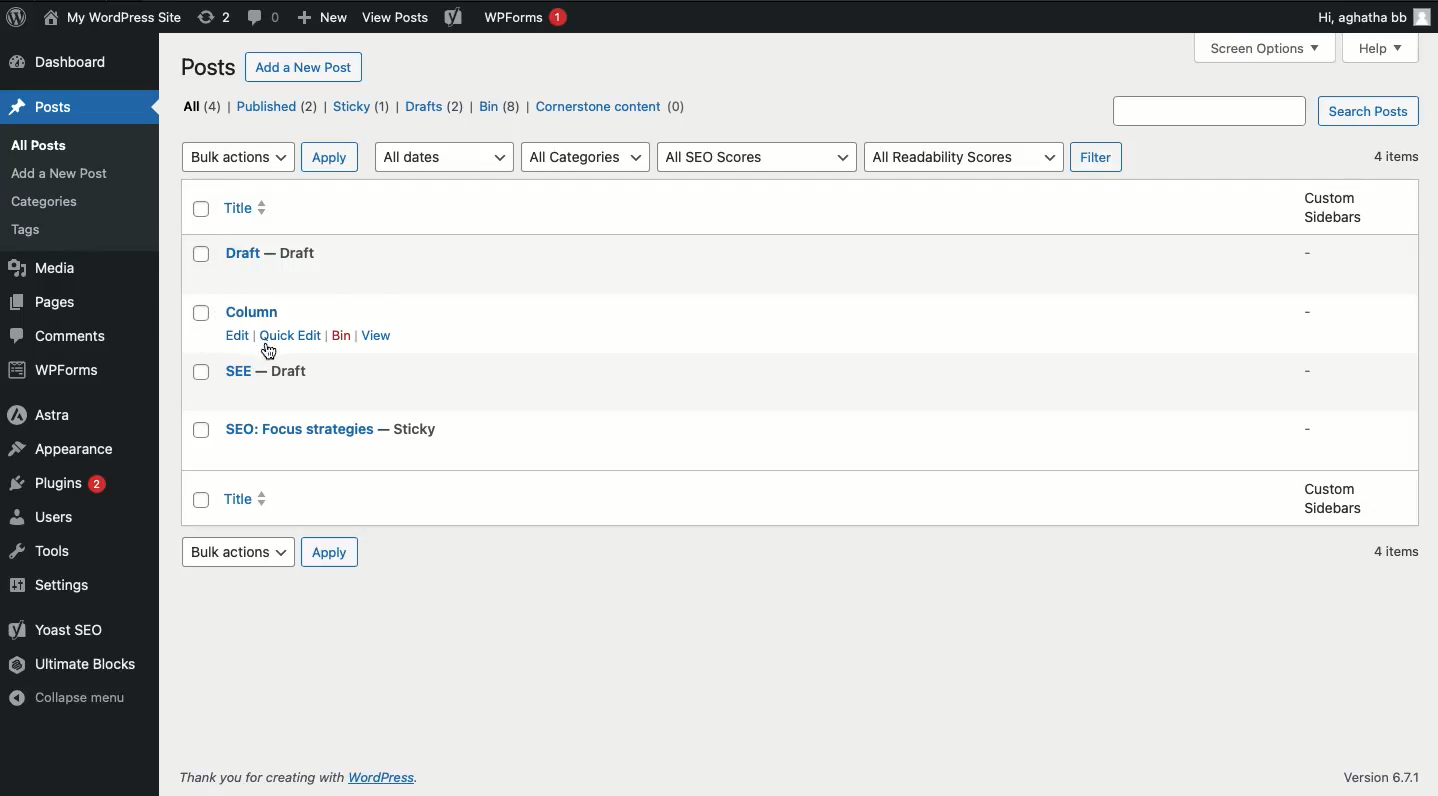 This screenshot has width=1438, height=796. What do you see at coordinates (248, 205) in the screenshot?
I see `title` at bounding box center [248, 205].